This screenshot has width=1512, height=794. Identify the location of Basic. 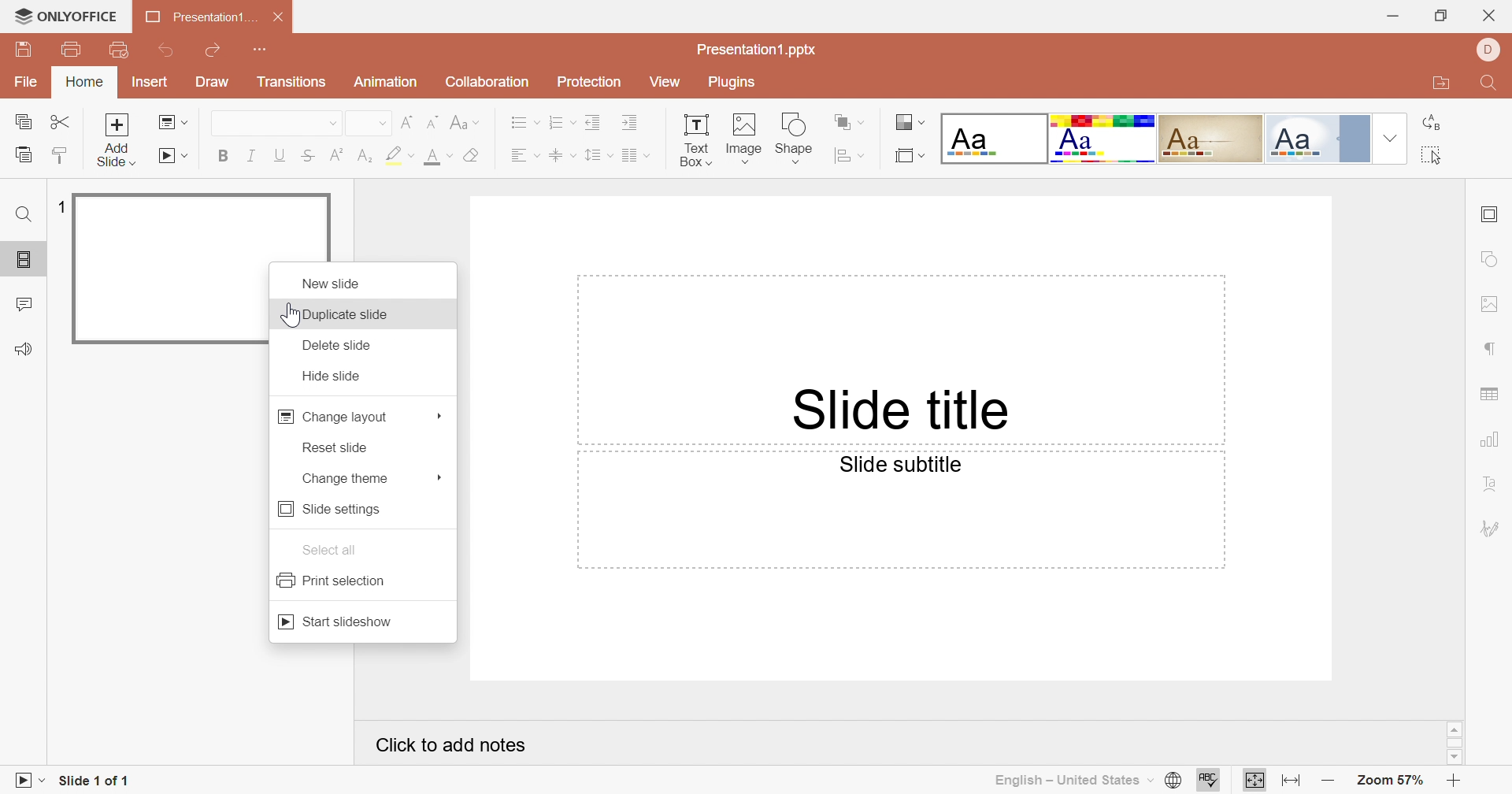
(1101, 139).